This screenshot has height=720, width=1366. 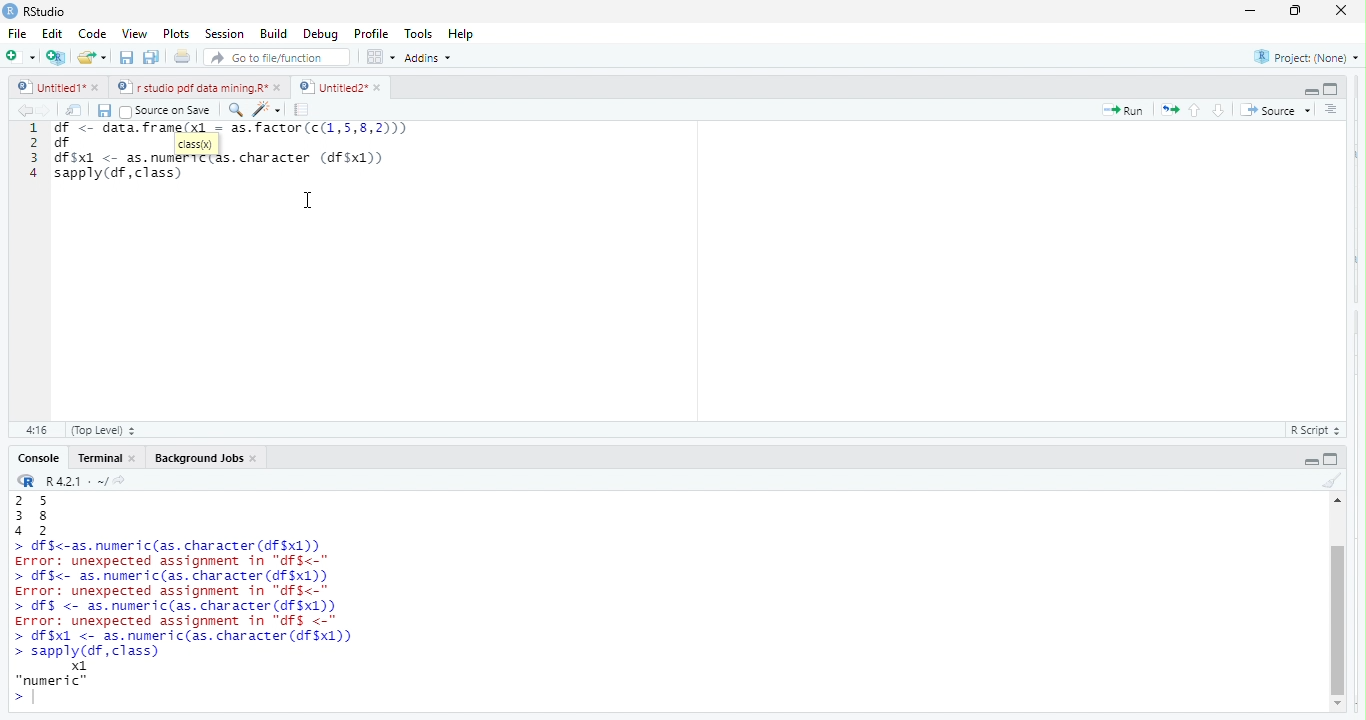 What do you see at coordinates (1278, 112) in the screenshot?
I see ` Source ` at bounding box center [1278, 112].